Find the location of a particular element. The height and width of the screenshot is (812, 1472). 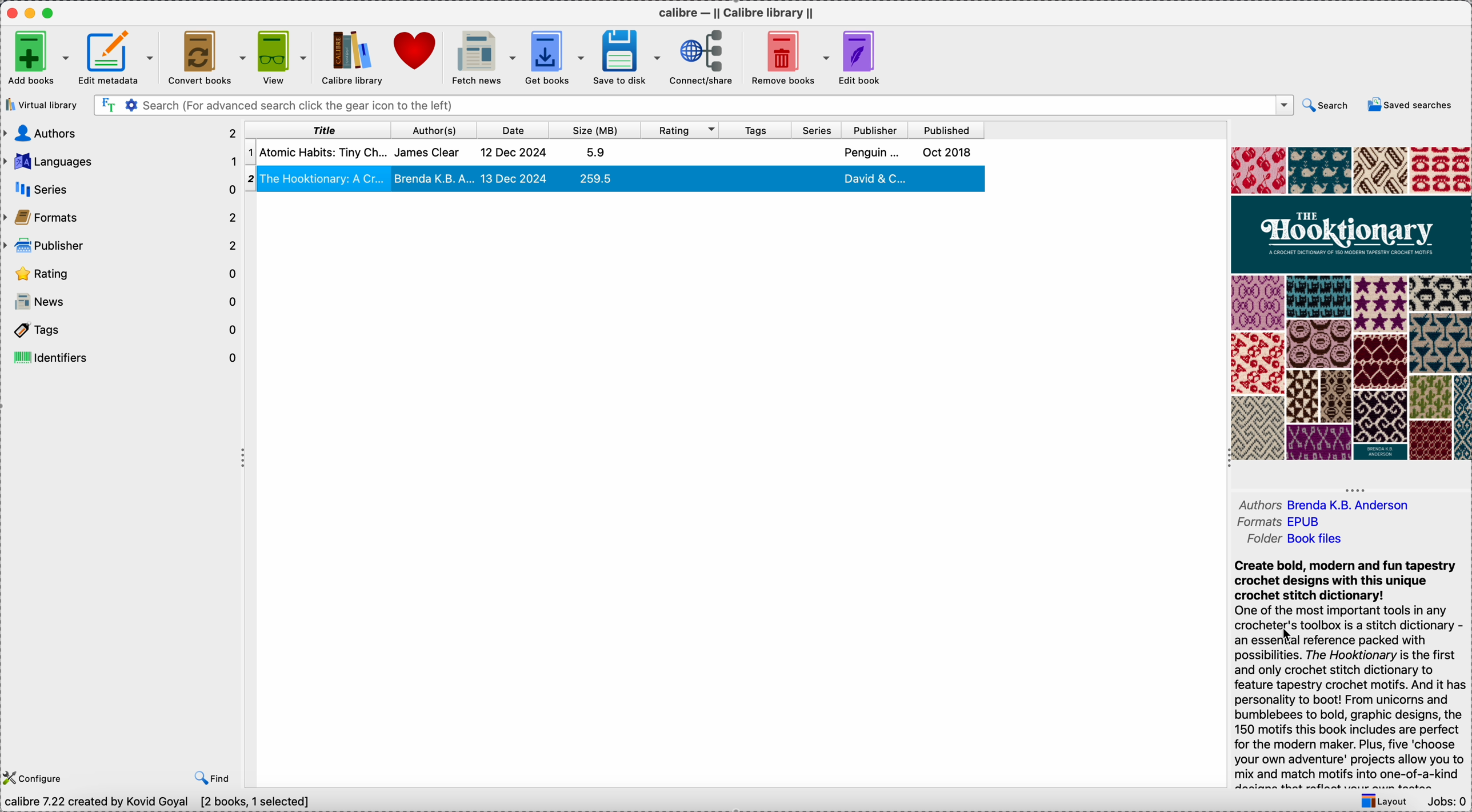

saved searches is located at coordinates (1407, 106).